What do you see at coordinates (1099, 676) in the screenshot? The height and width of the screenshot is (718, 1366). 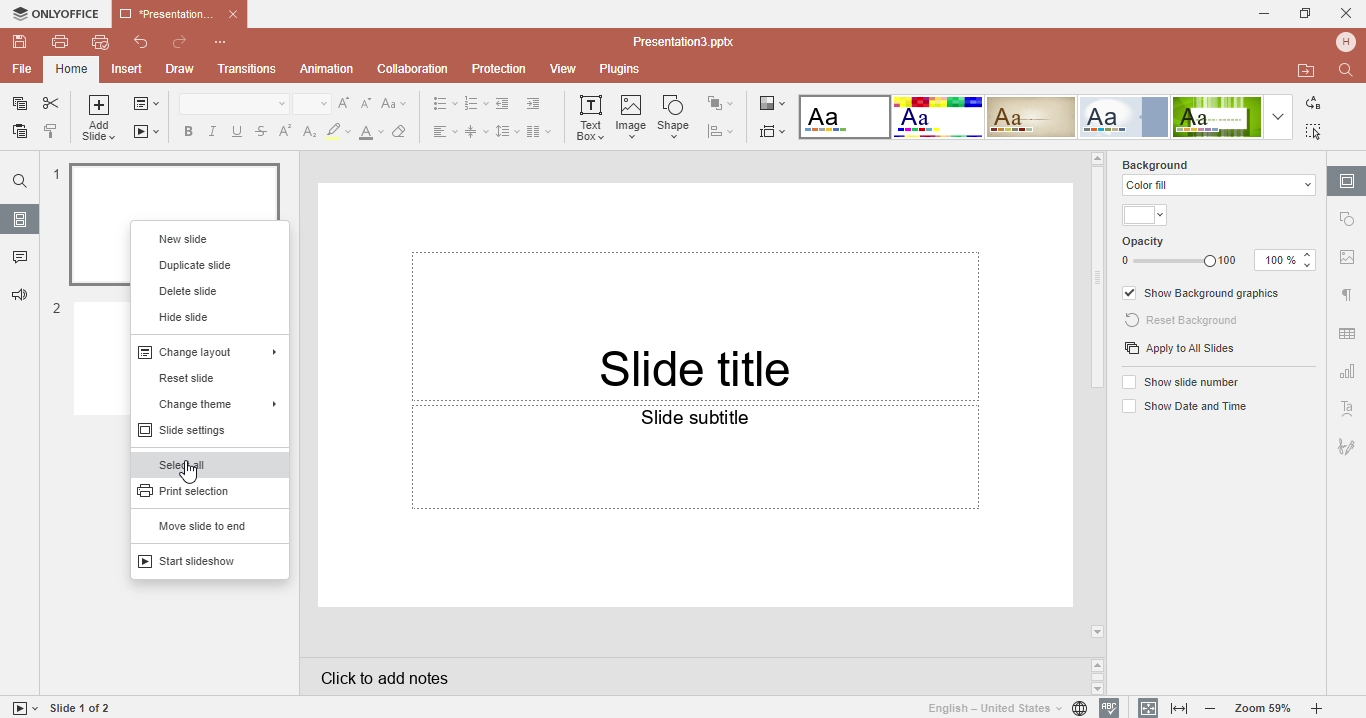 I see `Scroll buttons` at bounding box center [1099, 676].